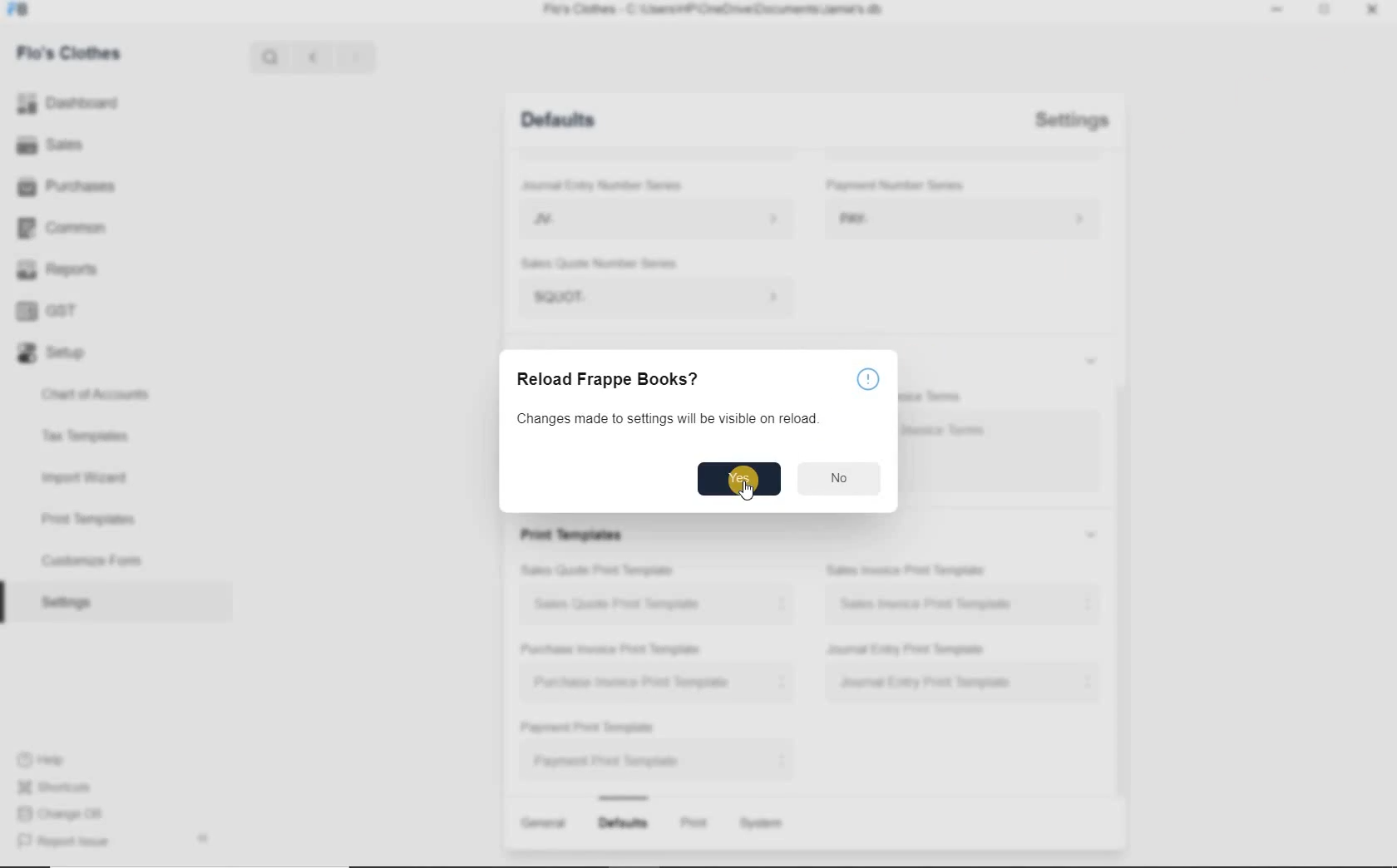 This screenshot has width=1397, height=868. What do you see at coordinates (662, 294) in the screenshot?
I see `SQUOT` at bounding box center [662, 294].